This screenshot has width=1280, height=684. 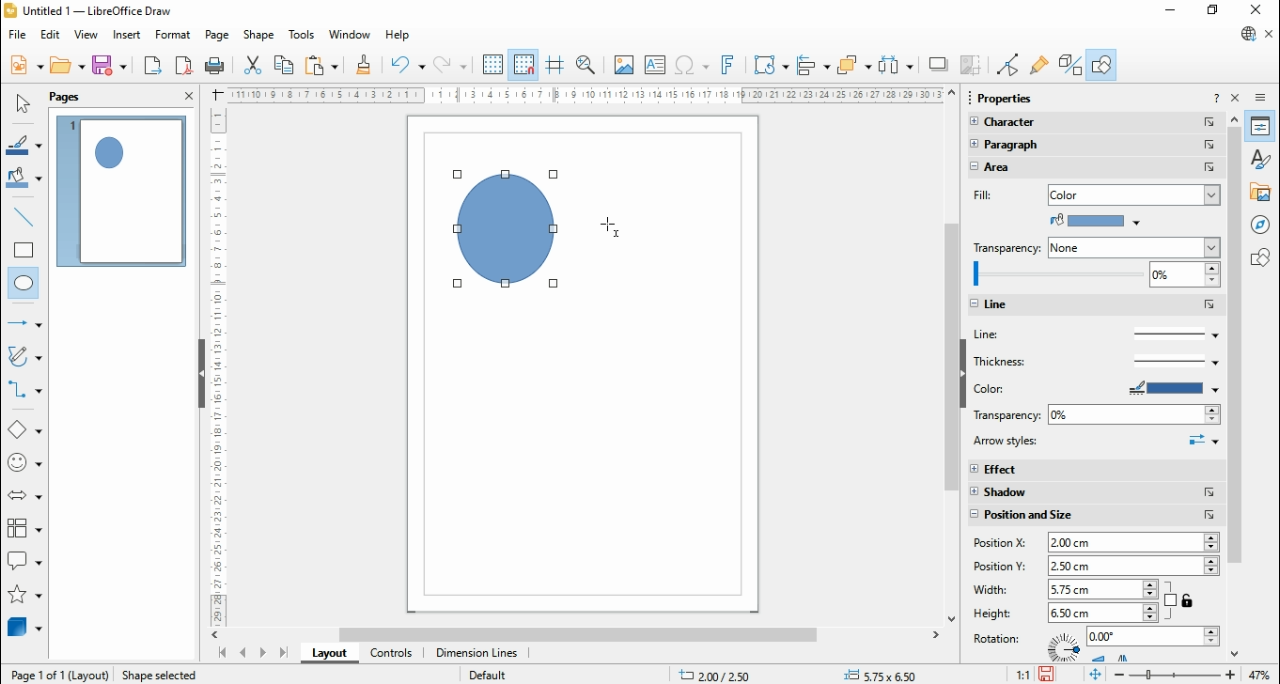 What do you see at coordinates (284, 64) in the screenshot?
I see `copy` at bounding box center [284, 64].